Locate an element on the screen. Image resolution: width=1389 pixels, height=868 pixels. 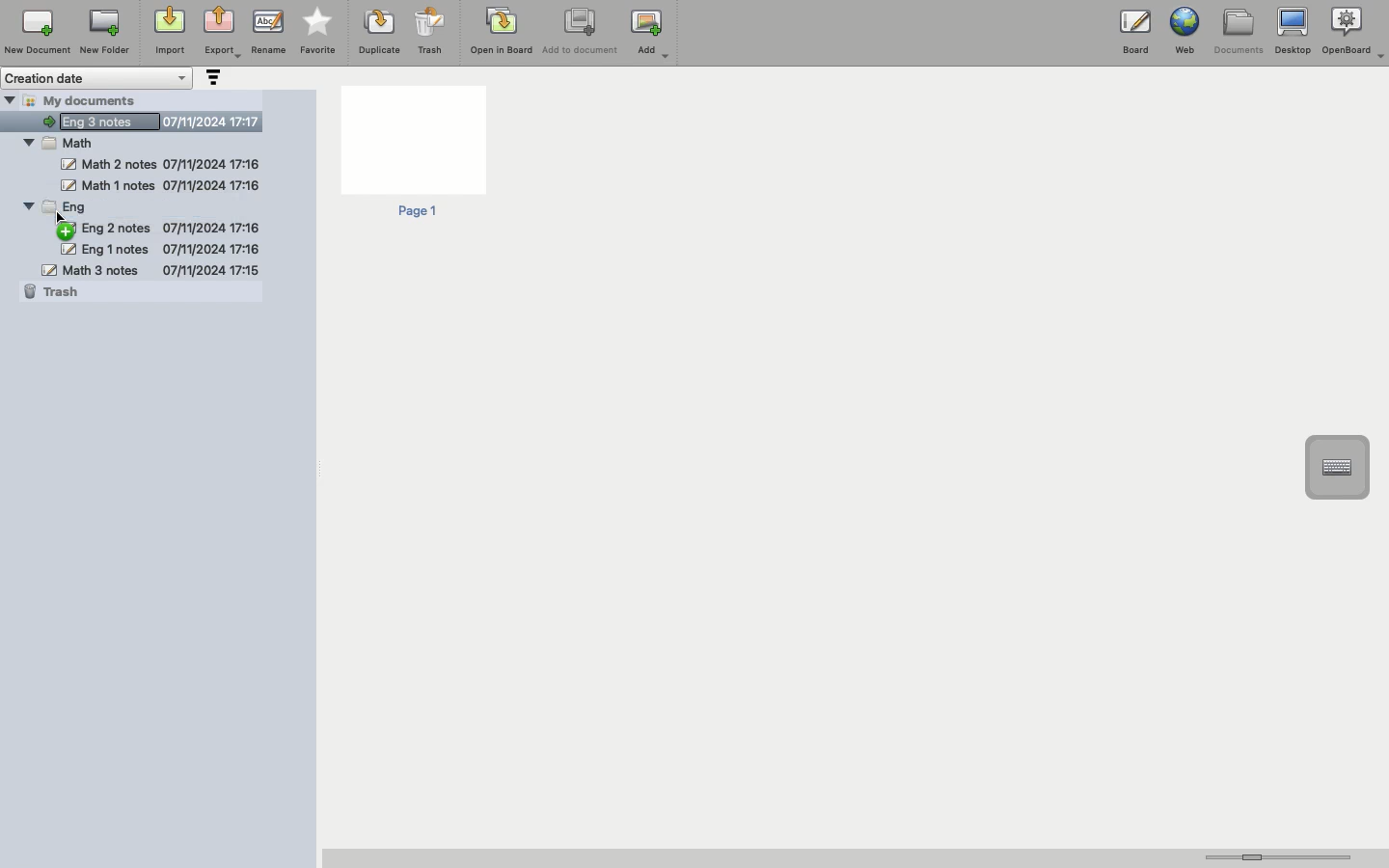
Add to document is located at coordinates (582, 33).